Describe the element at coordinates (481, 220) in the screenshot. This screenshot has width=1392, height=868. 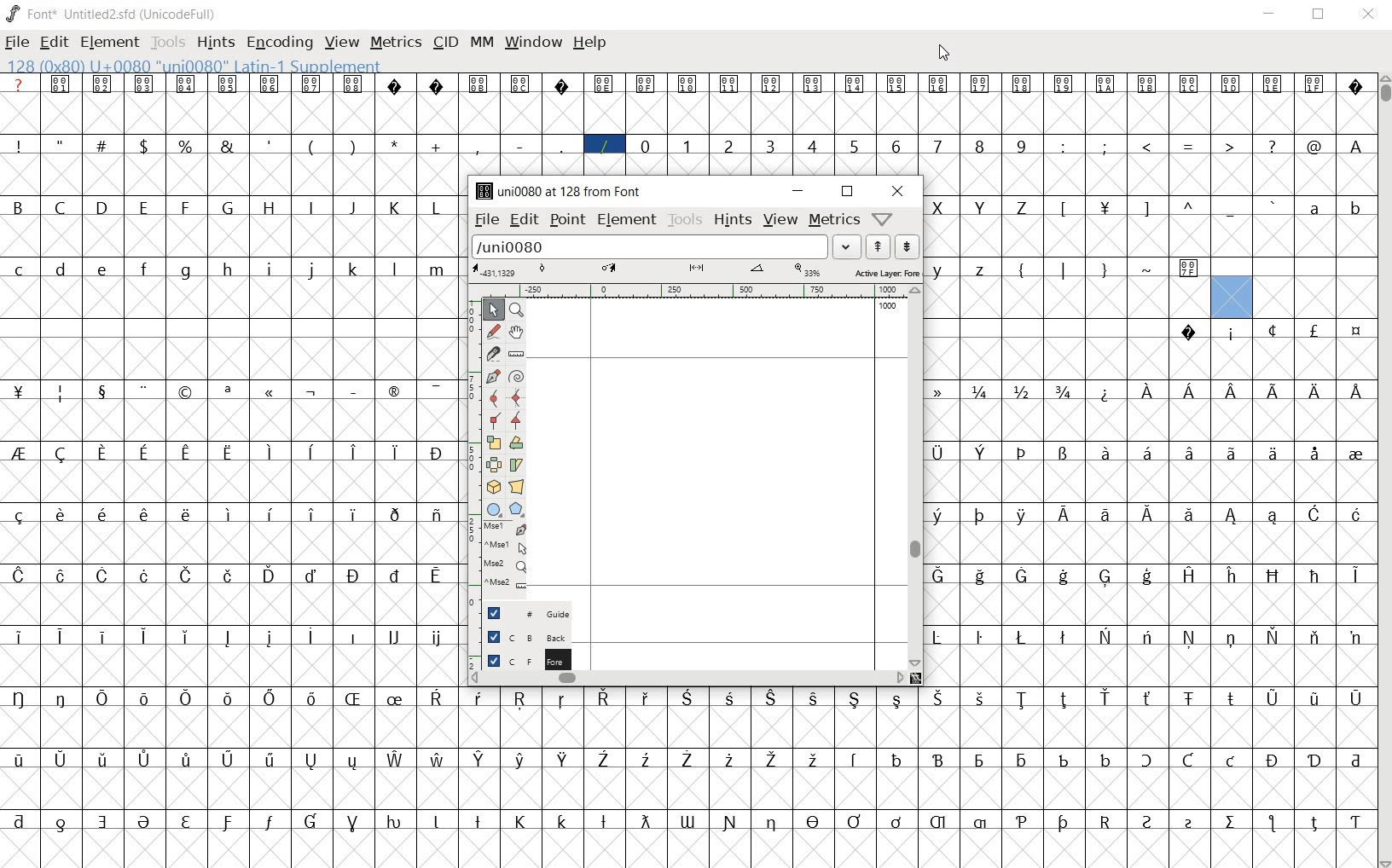
I see `file` at that location.